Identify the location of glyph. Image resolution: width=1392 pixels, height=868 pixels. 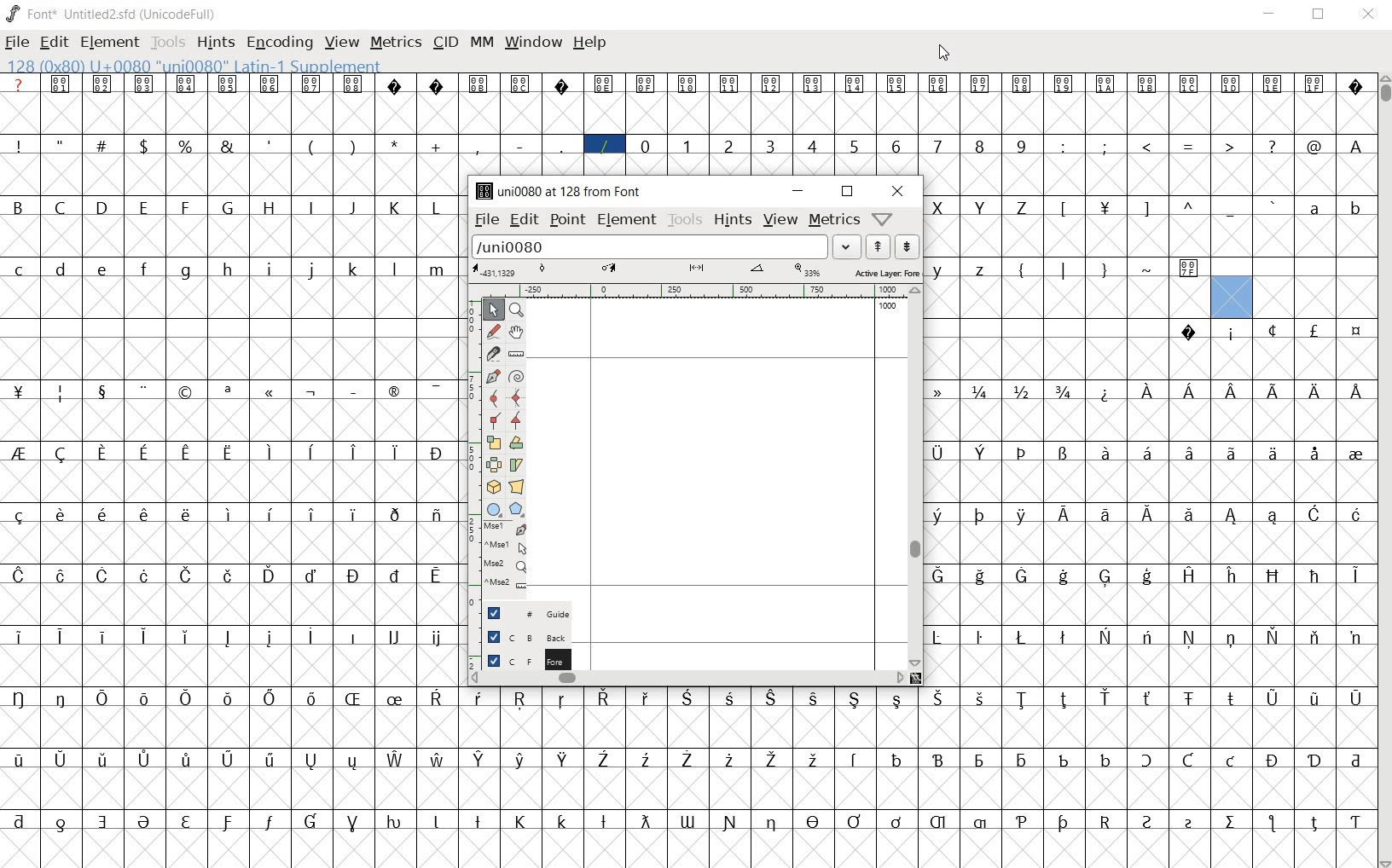
(1106, 84).